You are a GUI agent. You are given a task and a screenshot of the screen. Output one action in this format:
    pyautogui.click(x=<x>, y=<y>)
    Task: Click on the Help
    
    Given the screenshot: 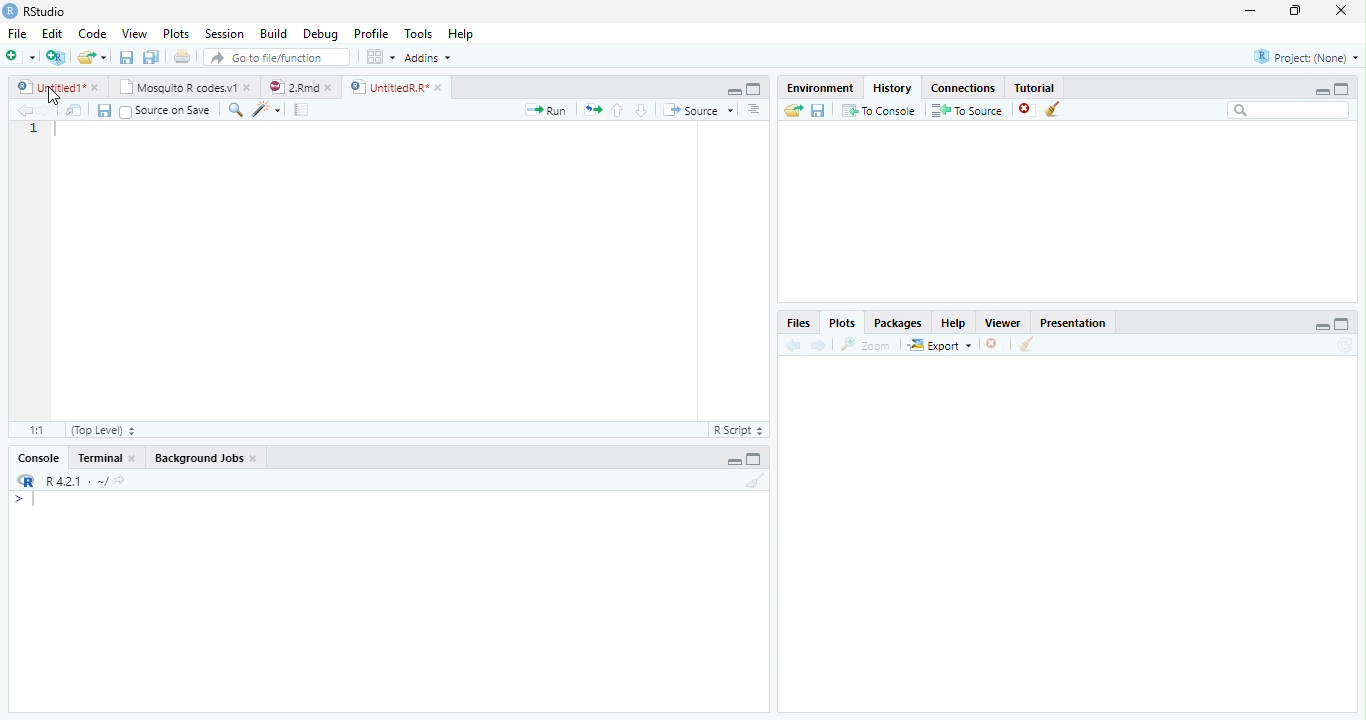 What is the action you would take?
    pyautogui.click(x=956, y=322)
    